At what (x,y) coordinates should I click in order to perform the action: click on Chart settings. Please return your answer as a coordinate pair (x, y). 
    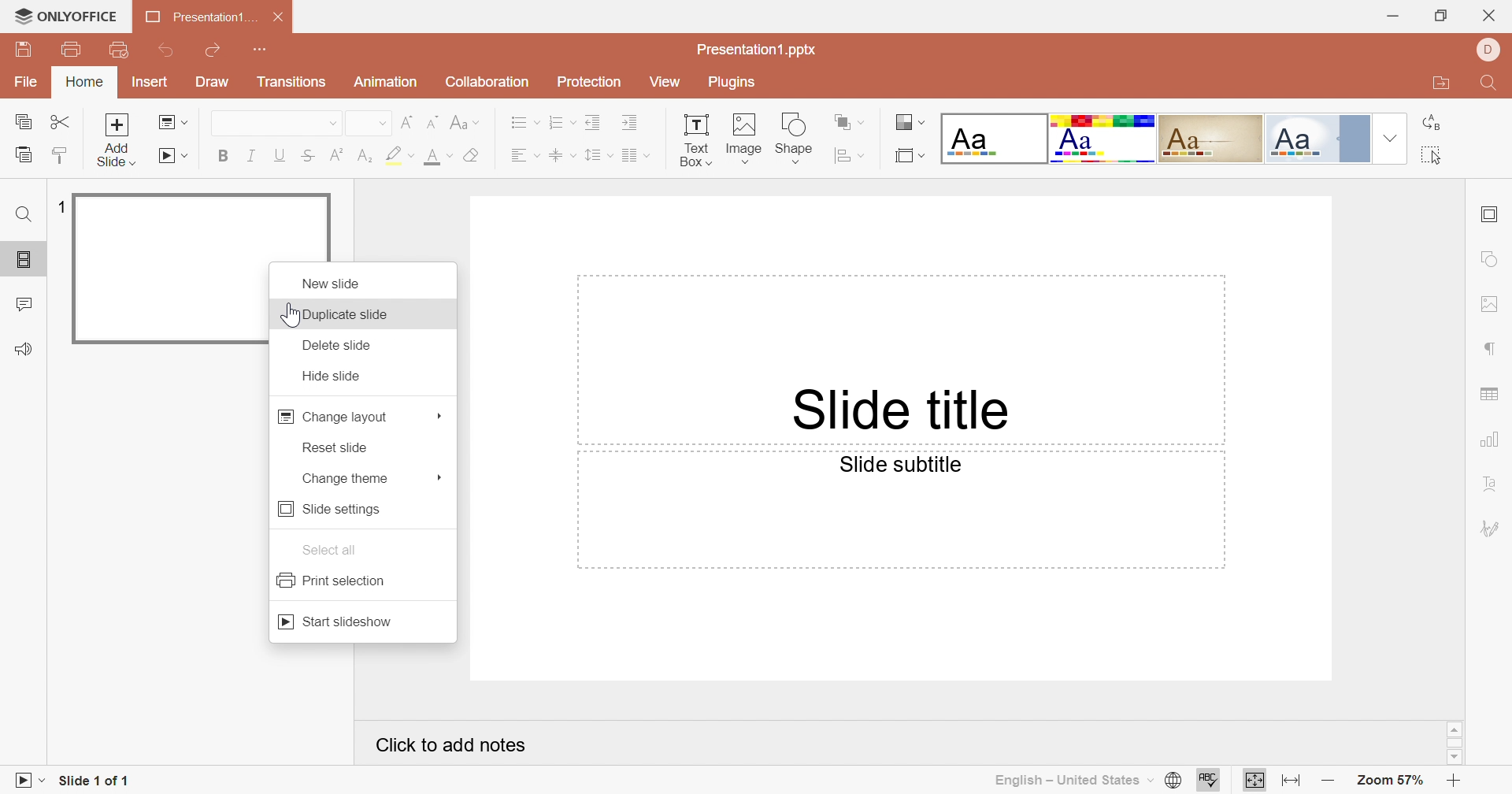
    Looking at the image, I should click on (1492, 442).